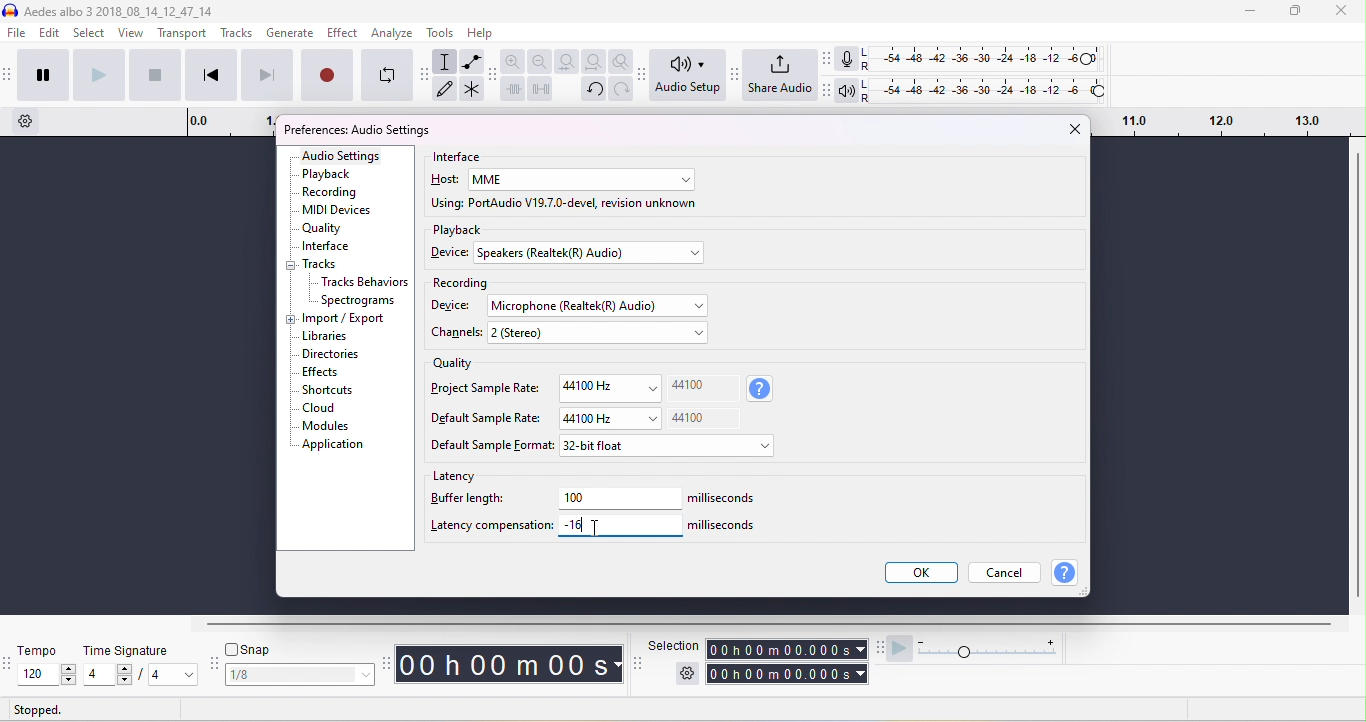 Image resolution: width=1366 pixels, height=722 pixels. Describe the element at coordinates (869, 98) in the screenshot. I see `R` at that location.